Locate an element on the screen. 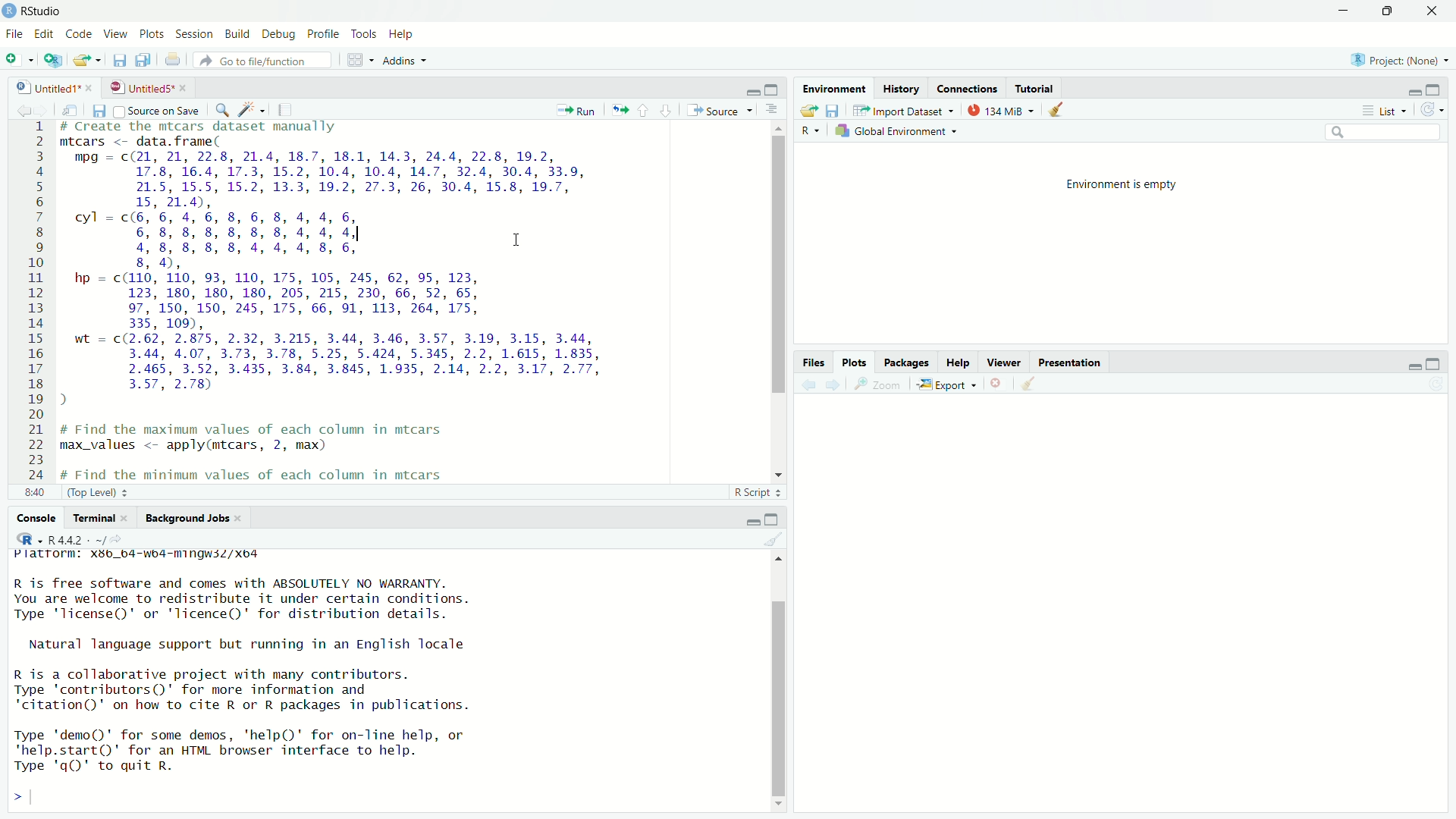 The image size is (1456, 819). ‘Connections is located at coordinates (968, 88).